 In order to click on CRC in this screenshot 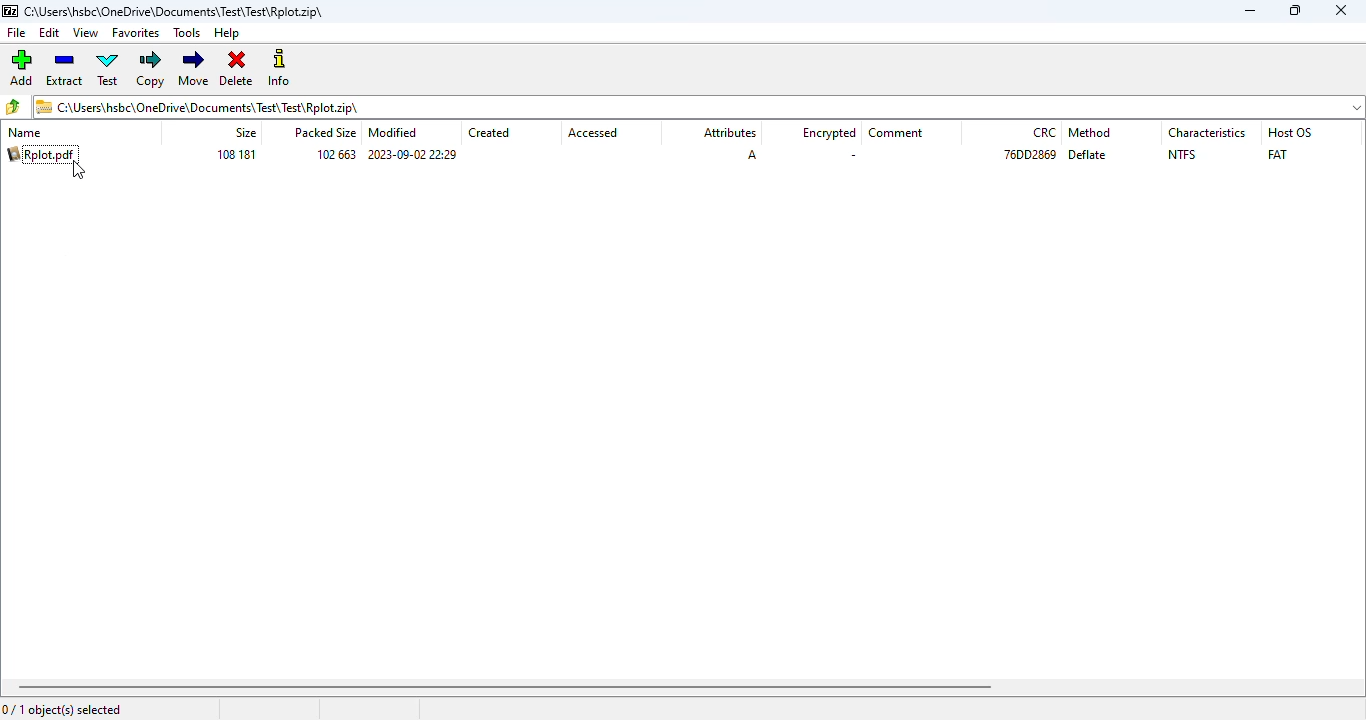, I will do `click(1044, 132)`.